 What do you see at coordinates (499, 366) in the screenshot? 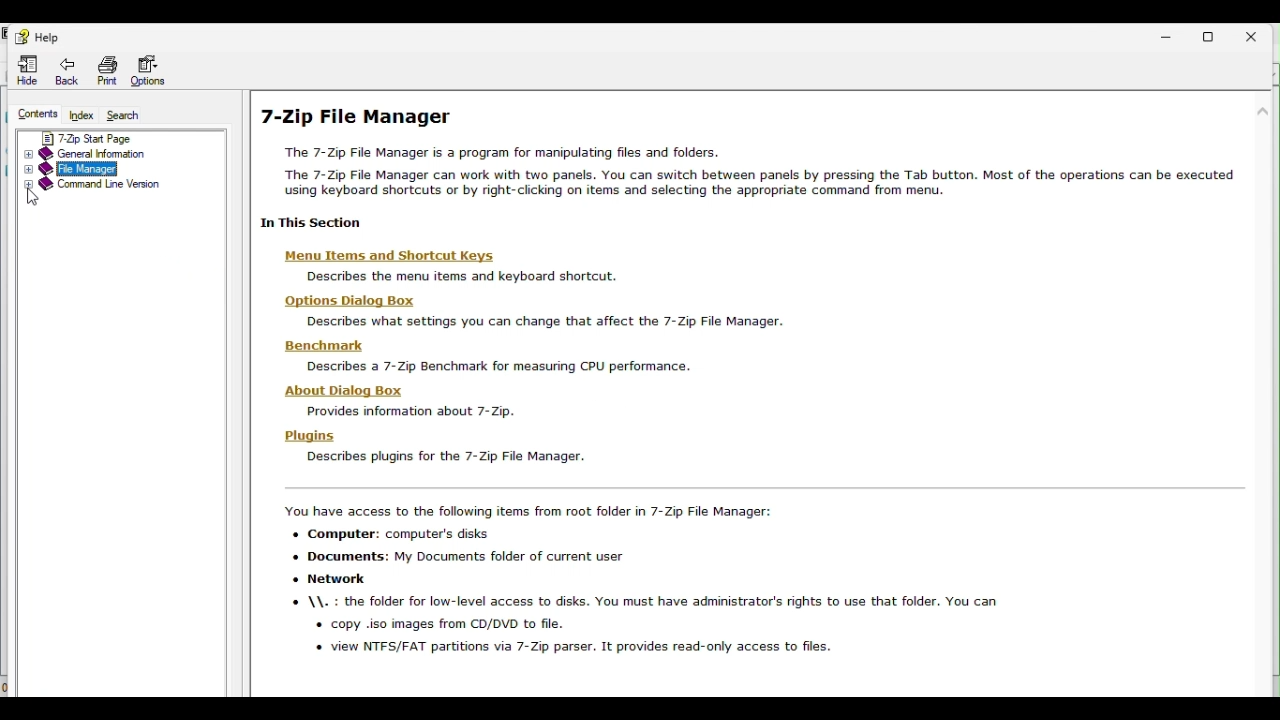
I see `description text` at bounding box center [499, 366].